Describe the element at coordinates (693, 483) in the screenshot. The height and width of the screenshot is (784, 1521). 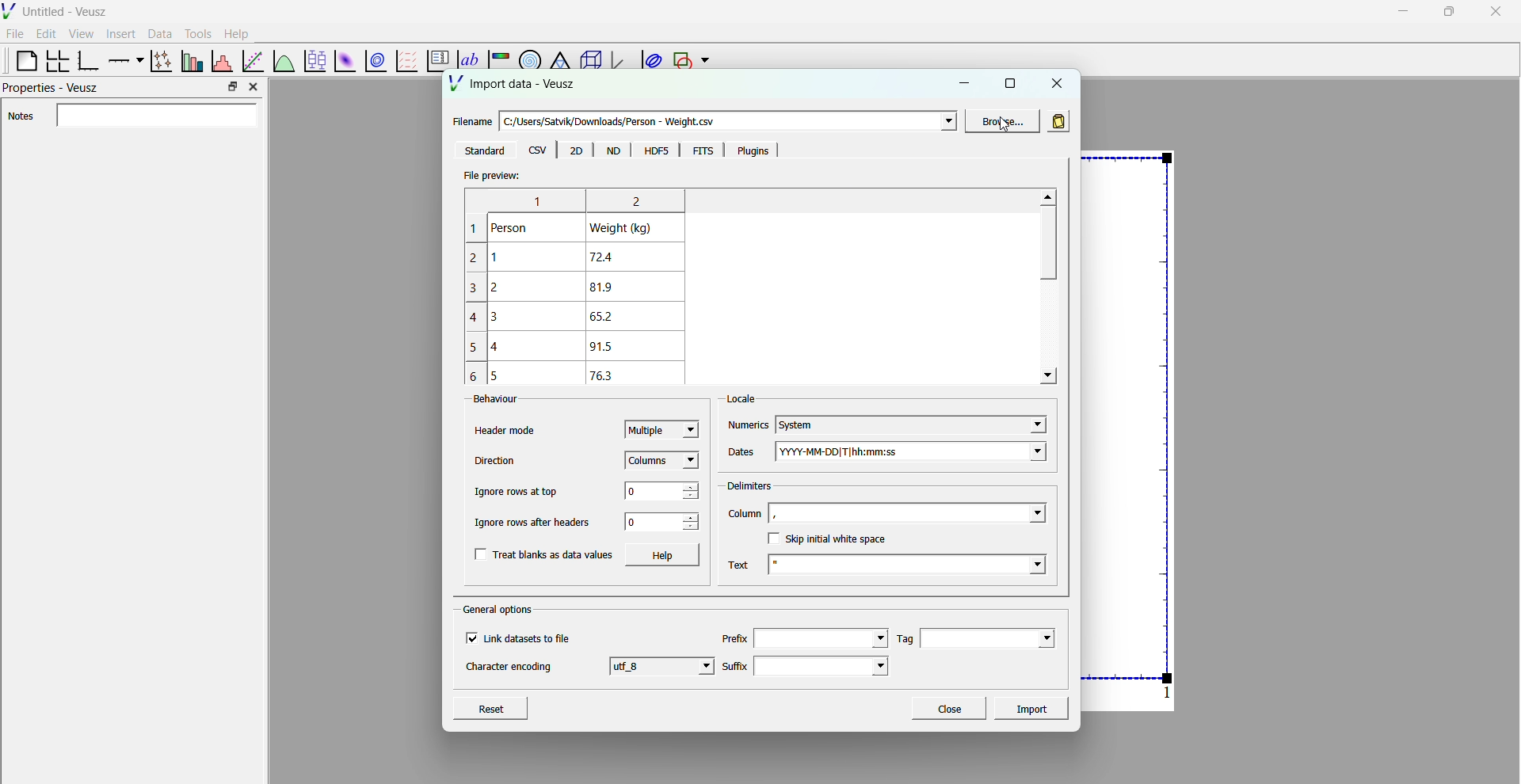
I see `increase value` at that location.